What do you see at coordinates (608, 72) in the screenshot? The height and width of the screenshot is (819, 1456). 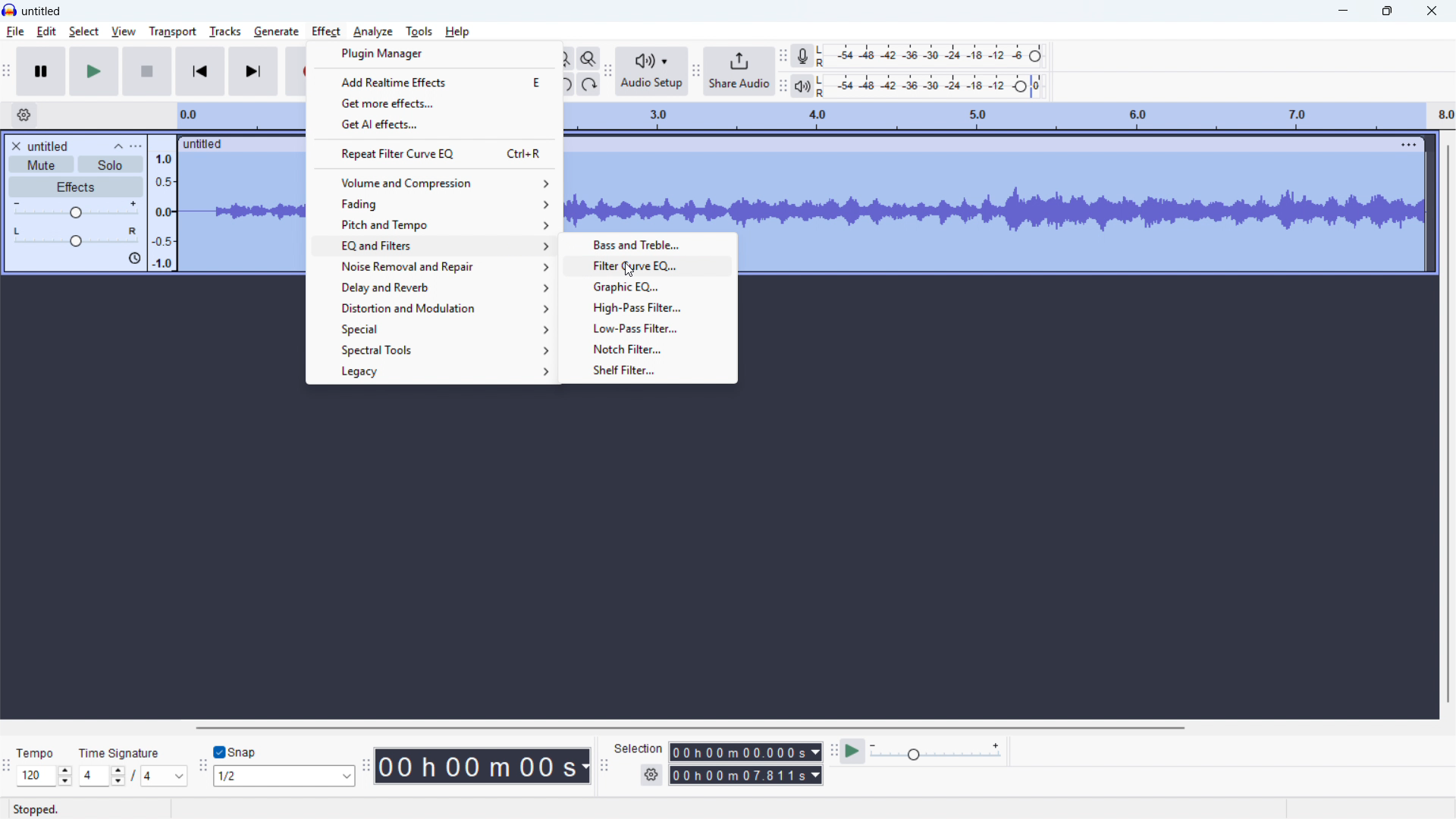 I see `Audio setup toolbar ` at bounding box center [608, 72].